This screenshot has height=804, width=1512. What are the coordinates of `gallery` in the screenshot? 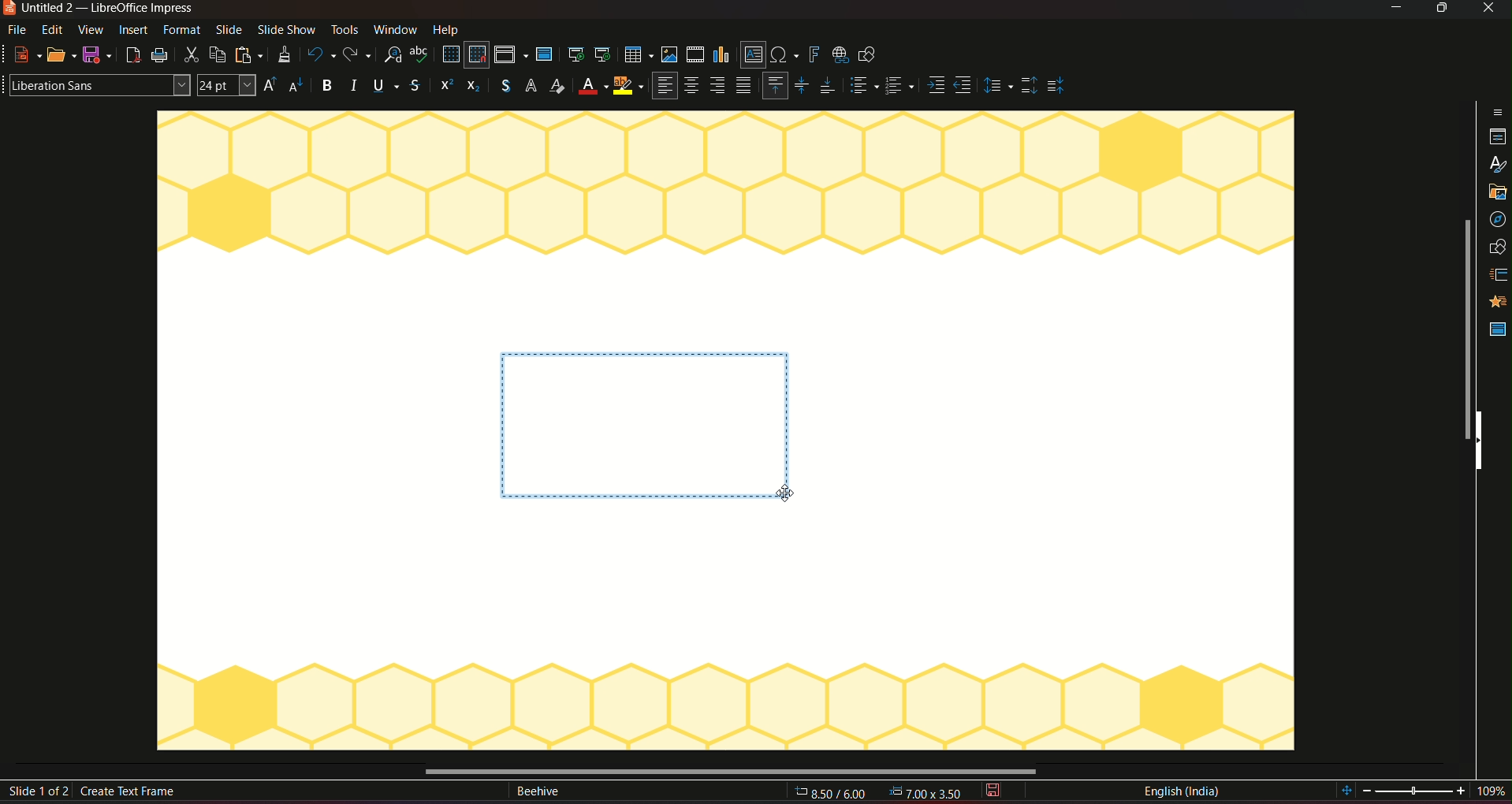 It's located at (1497, 163).